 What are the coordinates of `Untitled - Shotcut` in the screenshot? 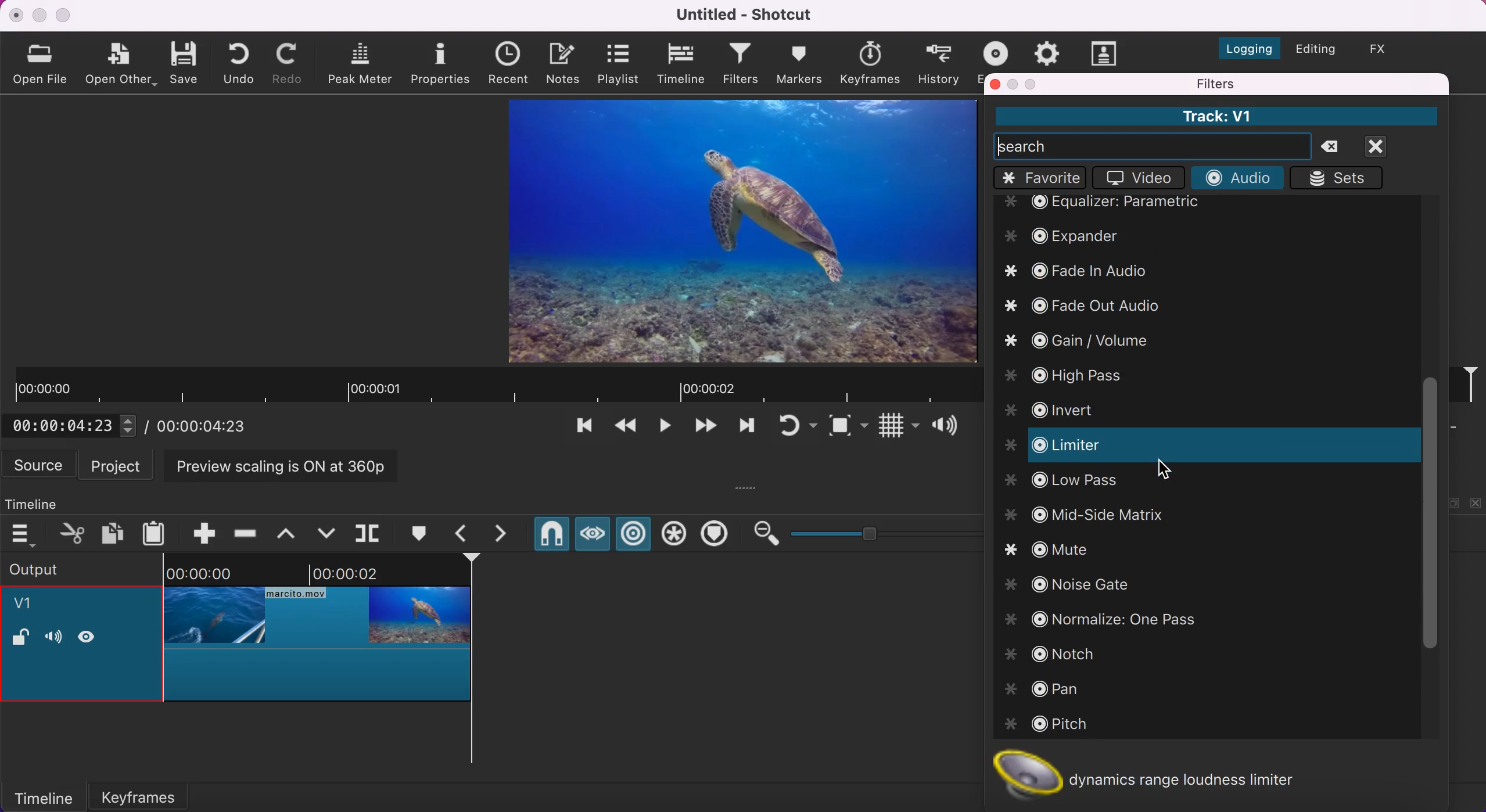 It's located at (747, 15).